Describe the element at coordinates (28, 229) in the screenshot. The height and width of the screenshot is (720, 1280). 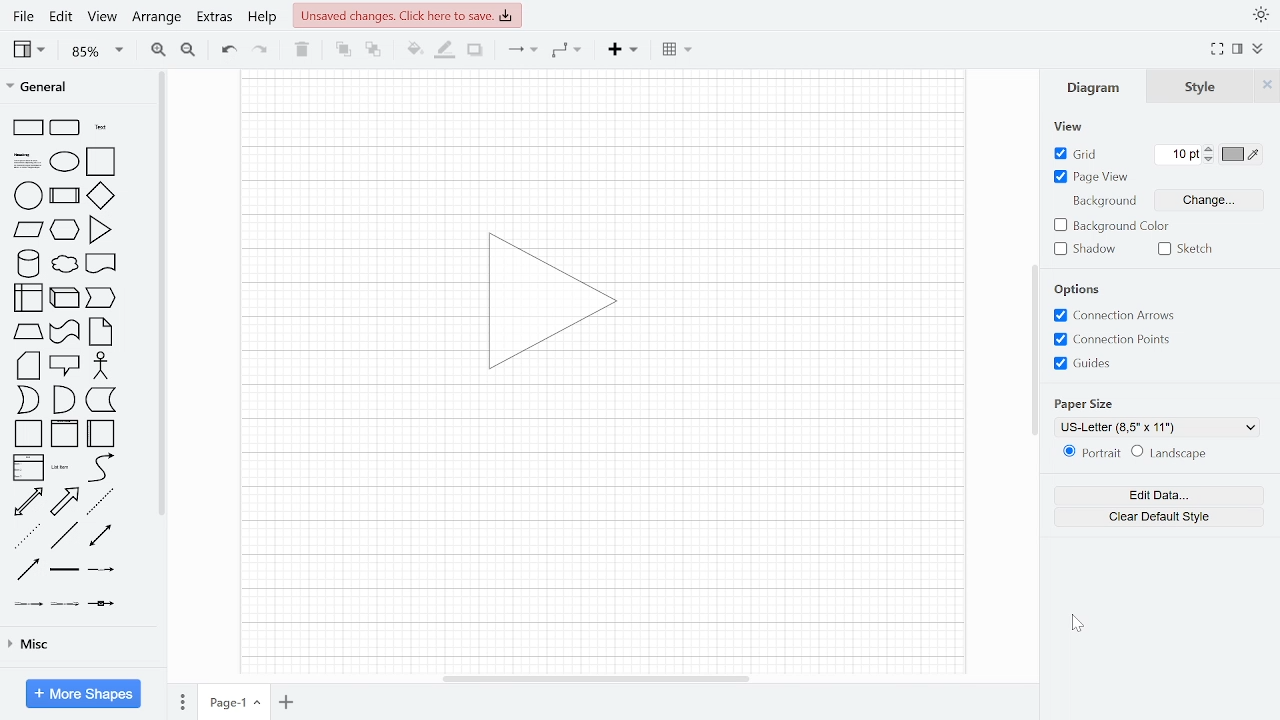
I see `Parallelogram` at that location.